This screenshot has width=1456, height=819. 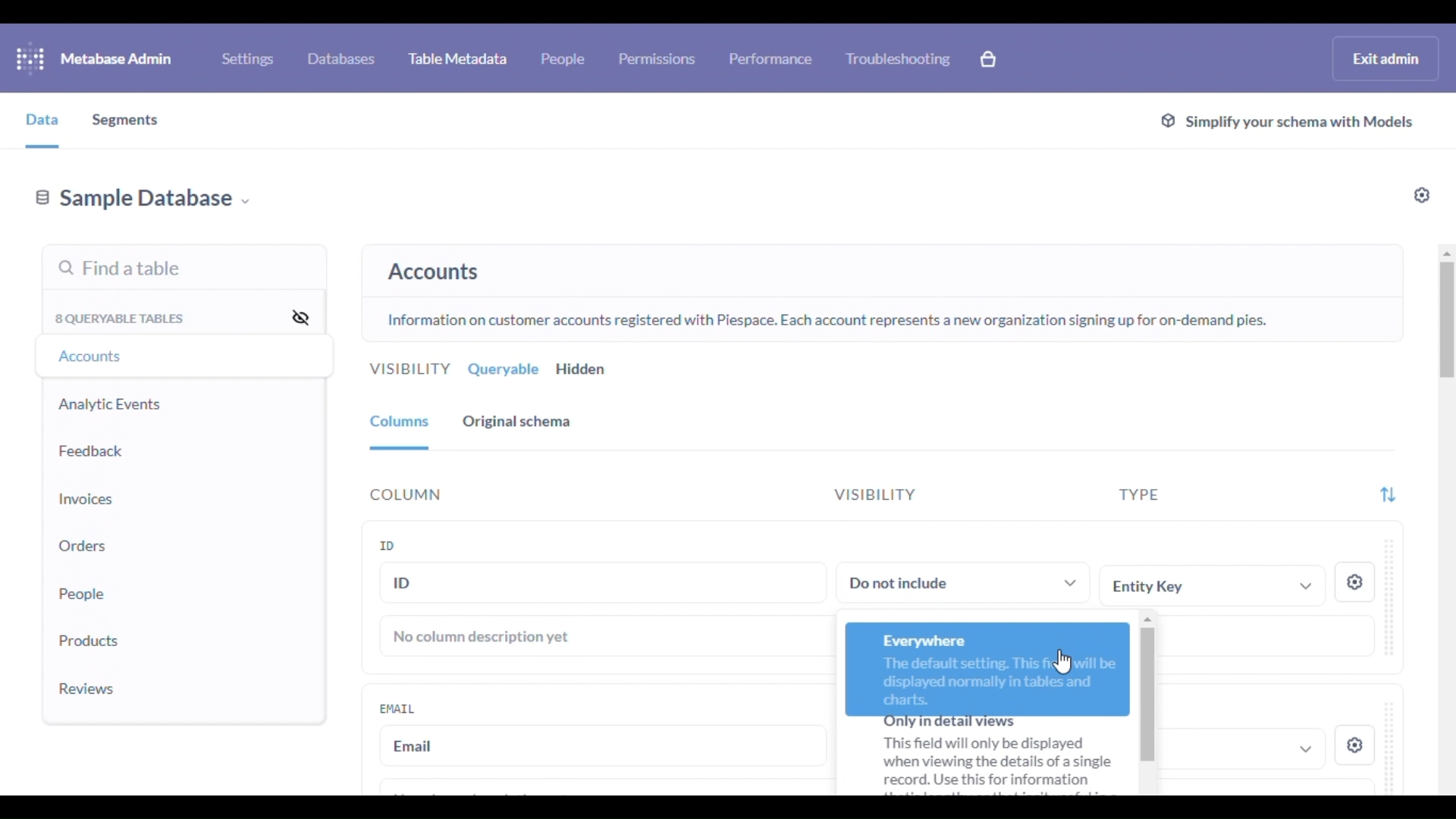 What do you see at coordinates (458, 58) in the screenshot?
I see `table metadata` at bounding box center [458, 58].